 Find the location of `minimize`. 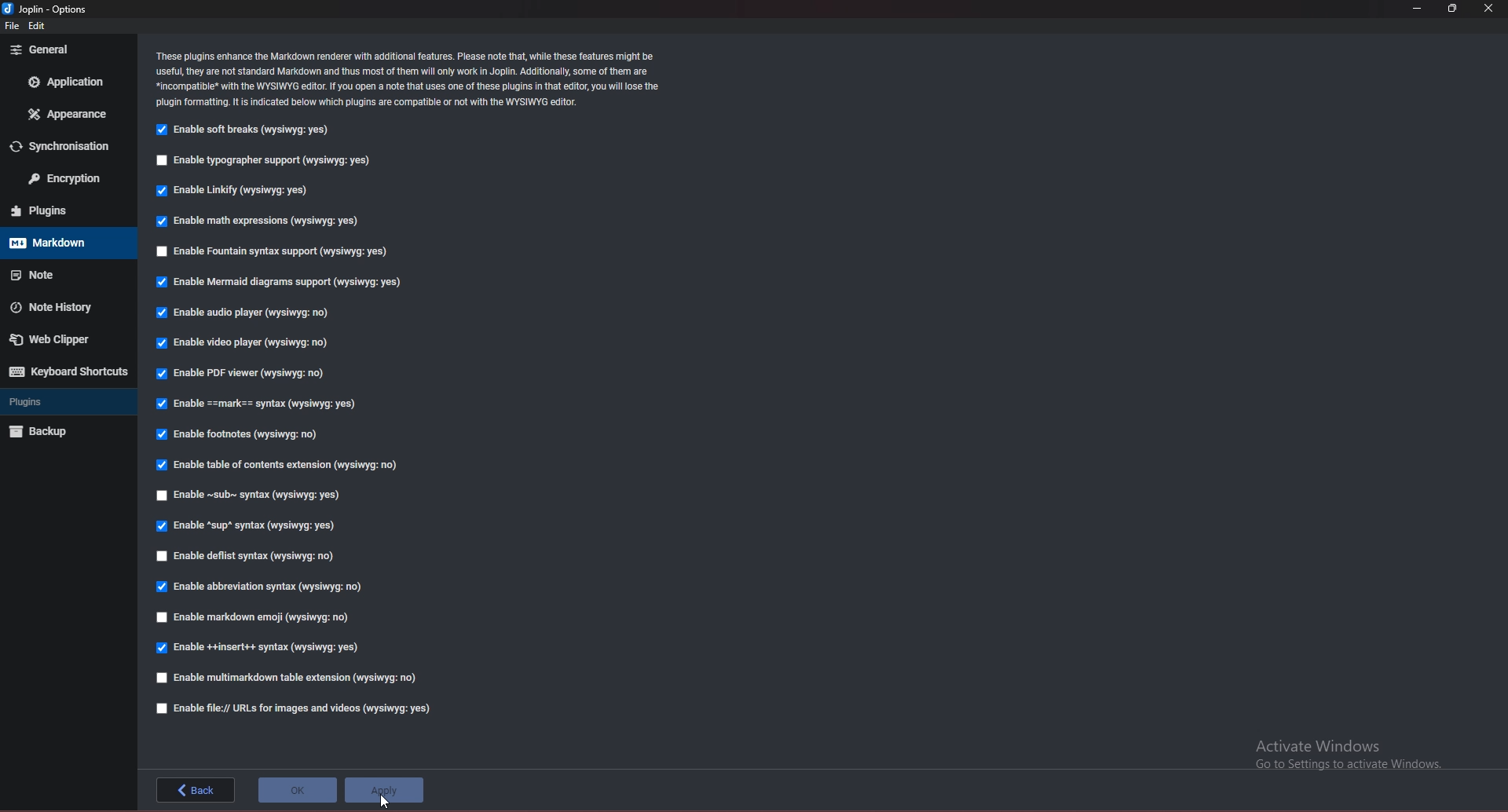

minimize is located at coordinates (1420, 9).